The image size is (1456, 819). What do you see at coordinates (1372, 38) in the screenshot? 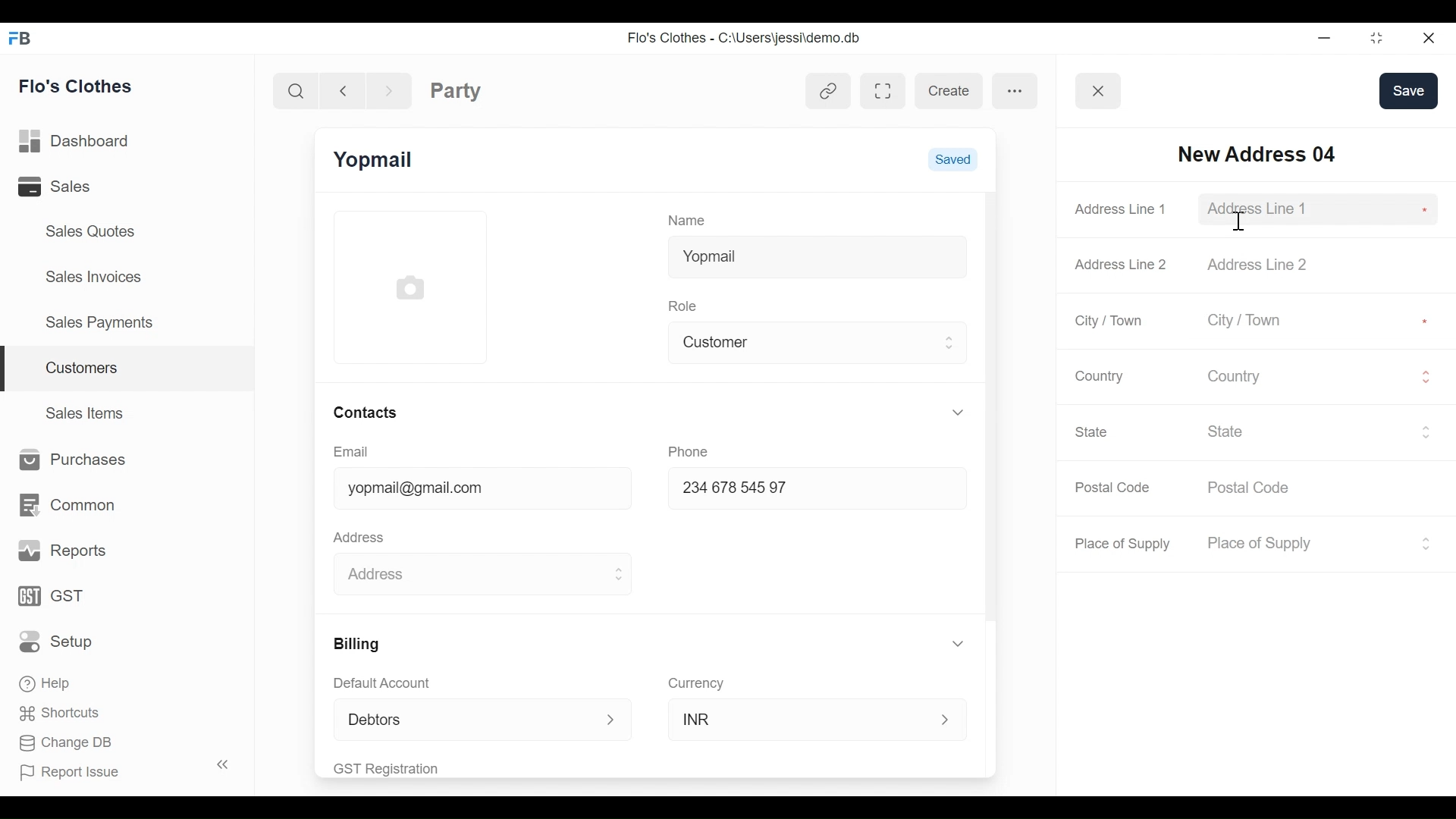
I see `Restore` at bounding box center [1372, 38].